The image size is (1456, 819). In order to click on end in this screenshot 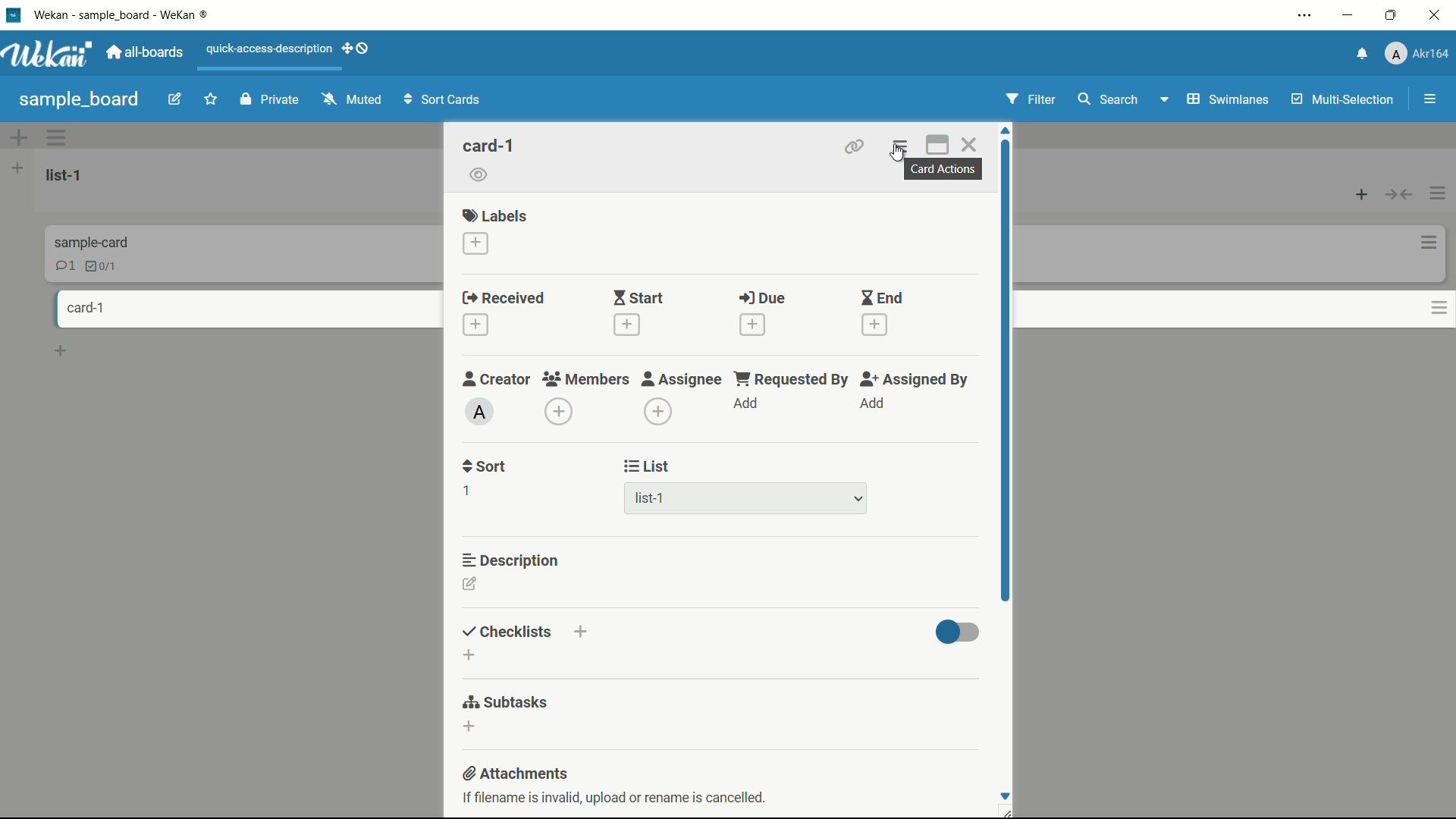, I will do `click(883, 298)`.